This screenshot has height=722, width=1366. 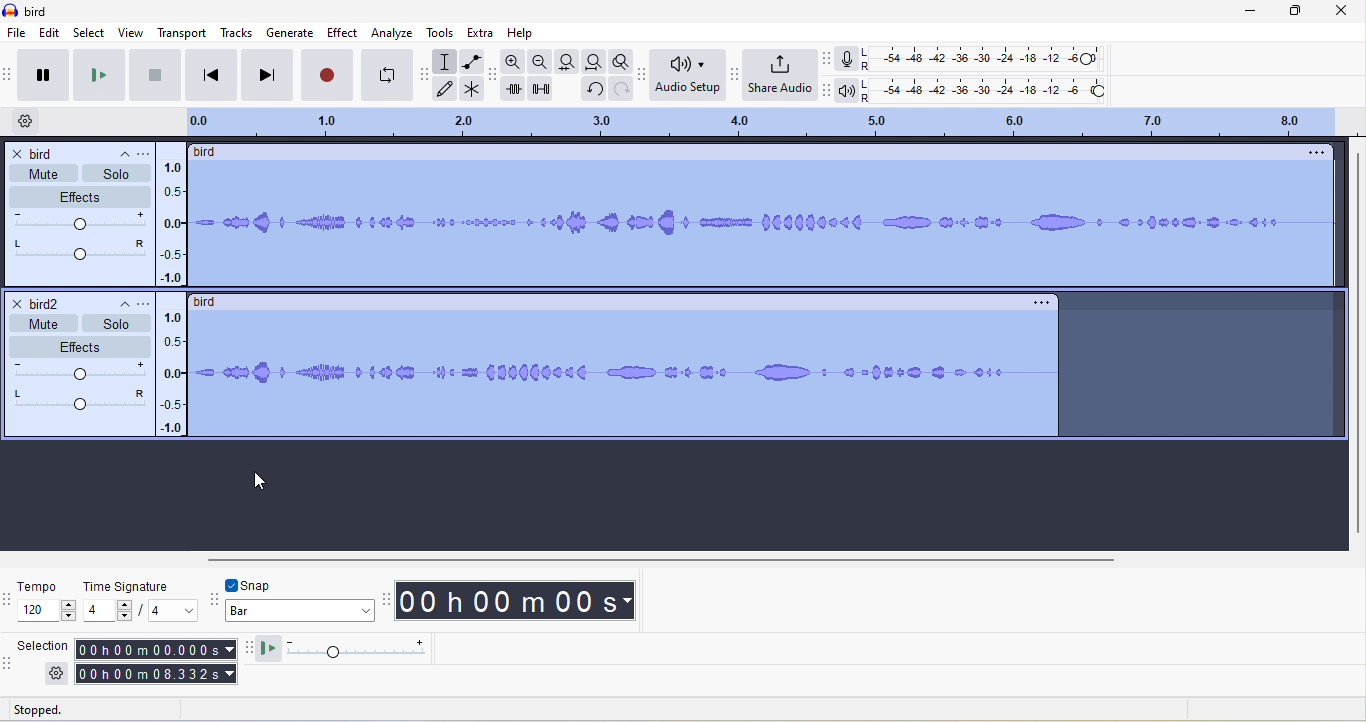 What do you see at coordinates (385, 602) in the screenshot?
I see `audacity time toolbar` at bounding box center [385, 602].